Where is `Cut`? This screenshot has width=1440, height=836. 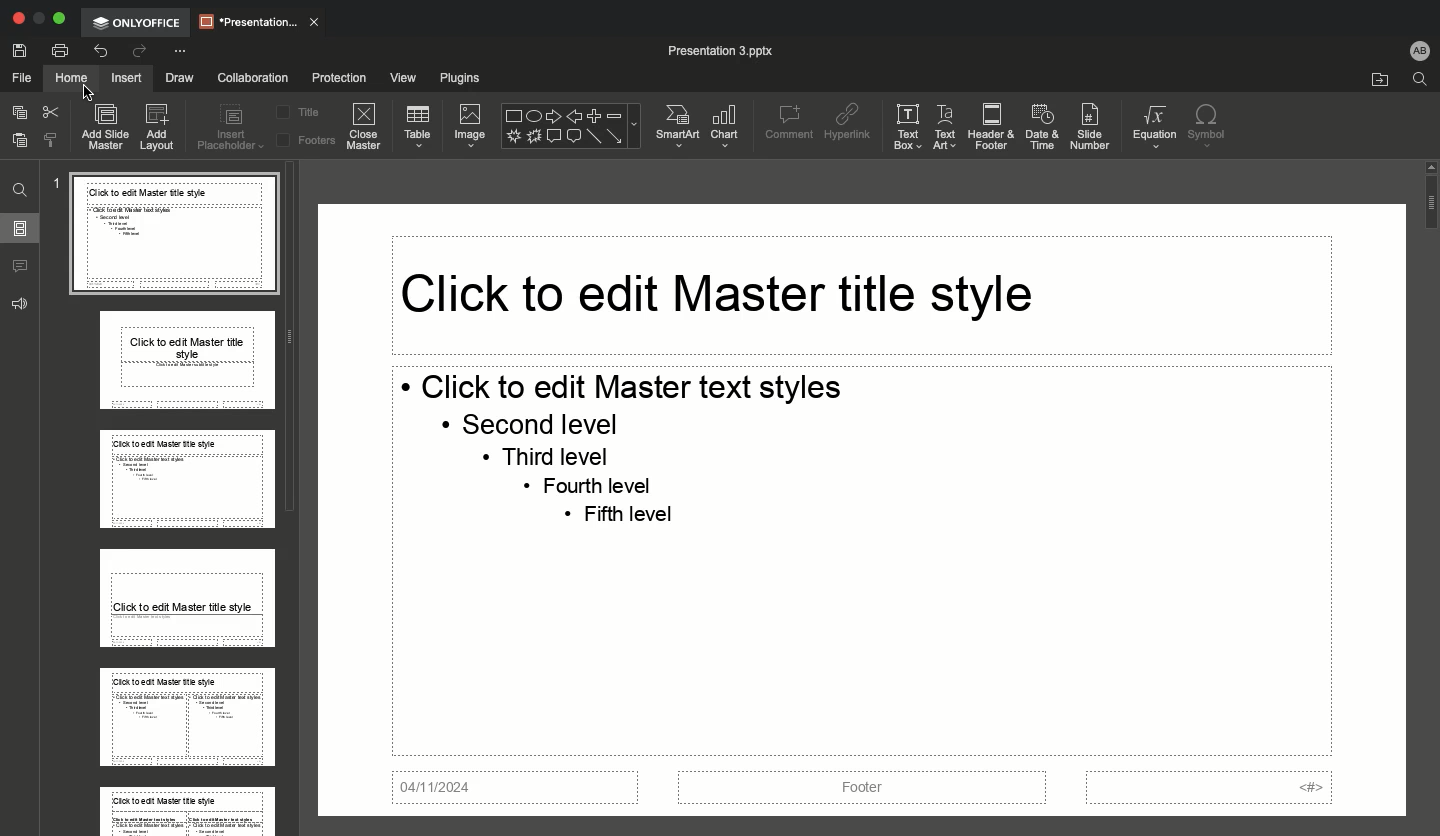 Cut is located at coordinates (53, 114).